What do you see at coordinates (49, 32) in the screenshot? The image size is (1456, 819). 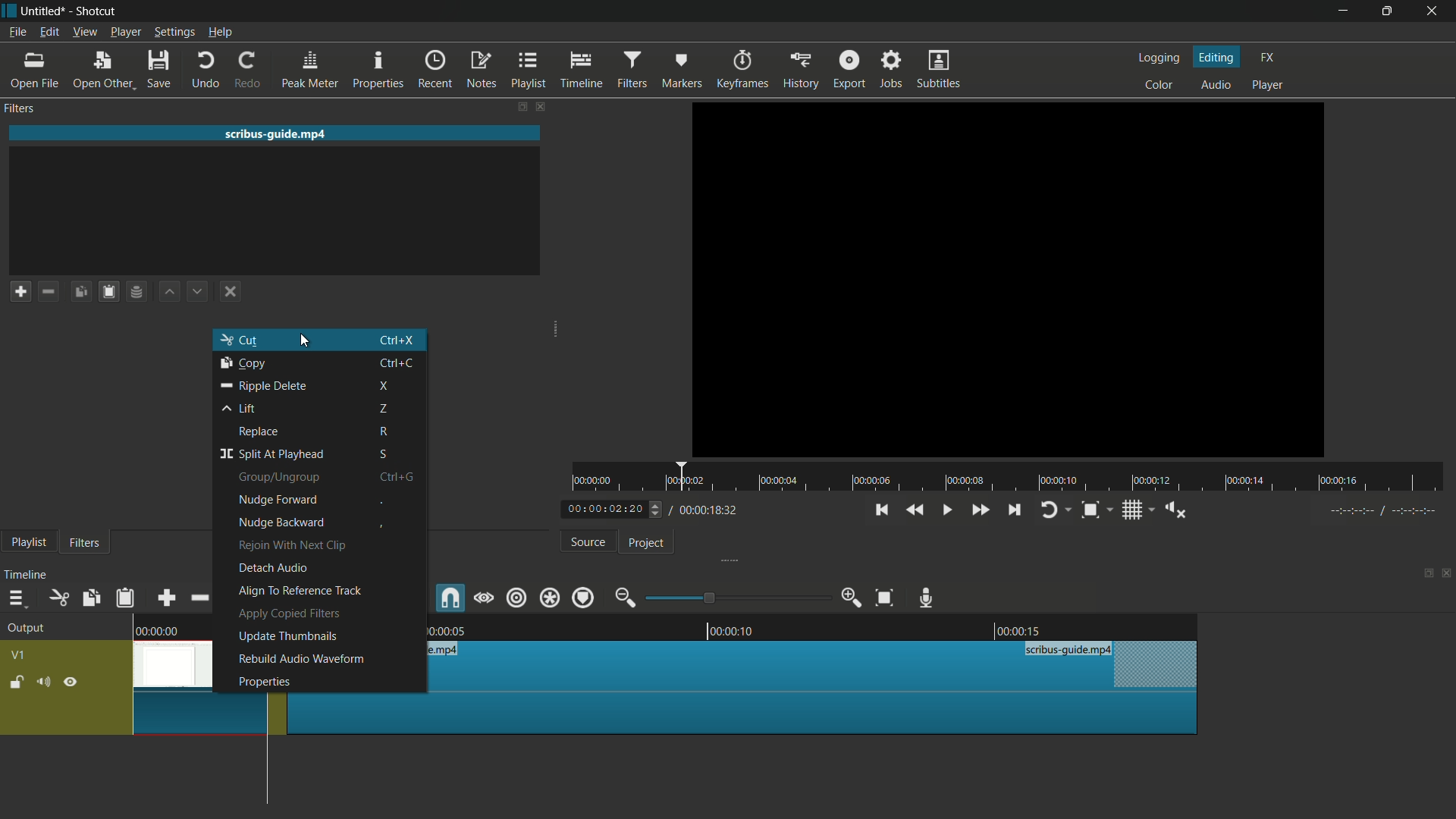 I see `edit menu` at bounding box center [49, 32].